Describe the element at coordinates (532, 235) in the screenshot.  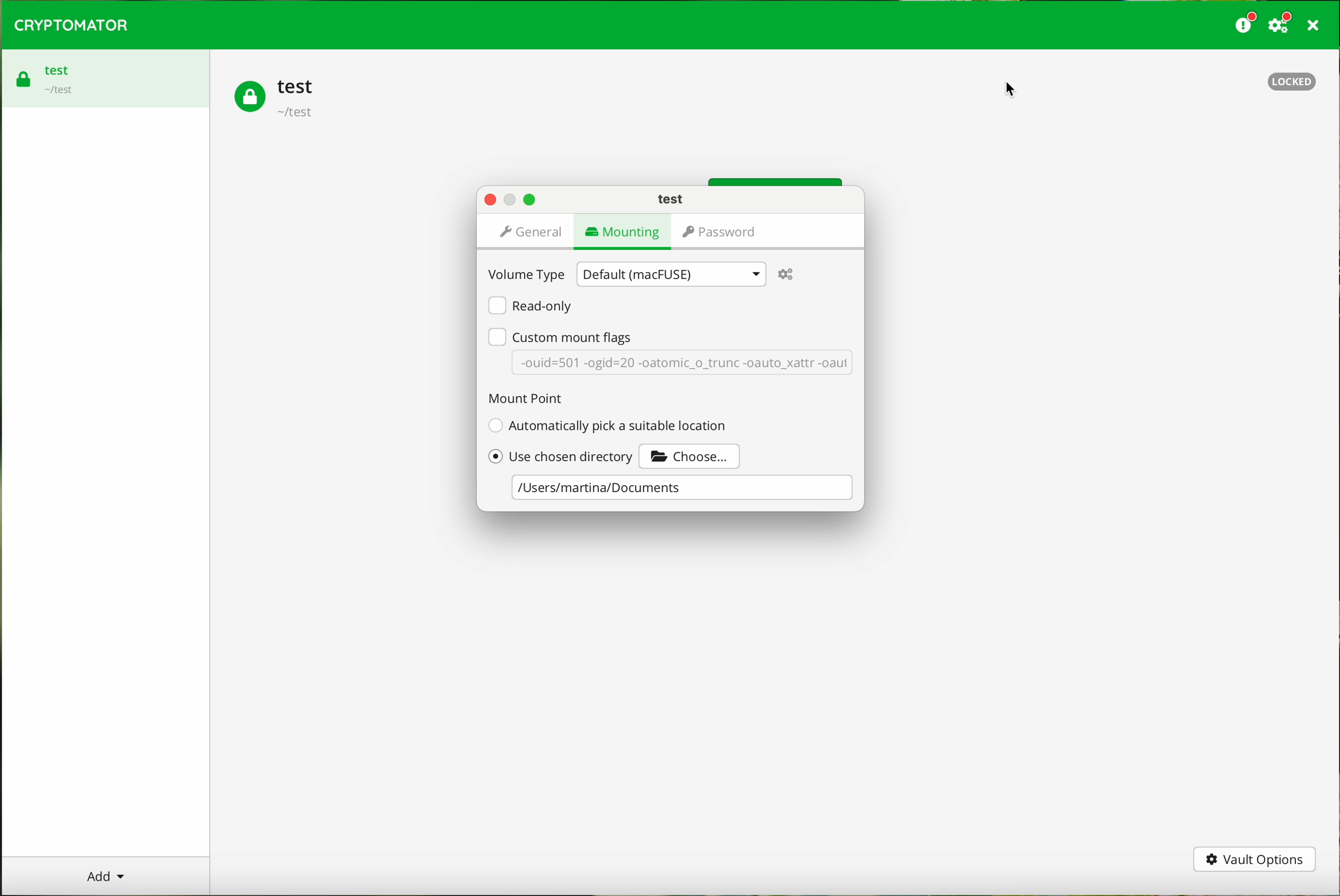
I see `general` at that location.